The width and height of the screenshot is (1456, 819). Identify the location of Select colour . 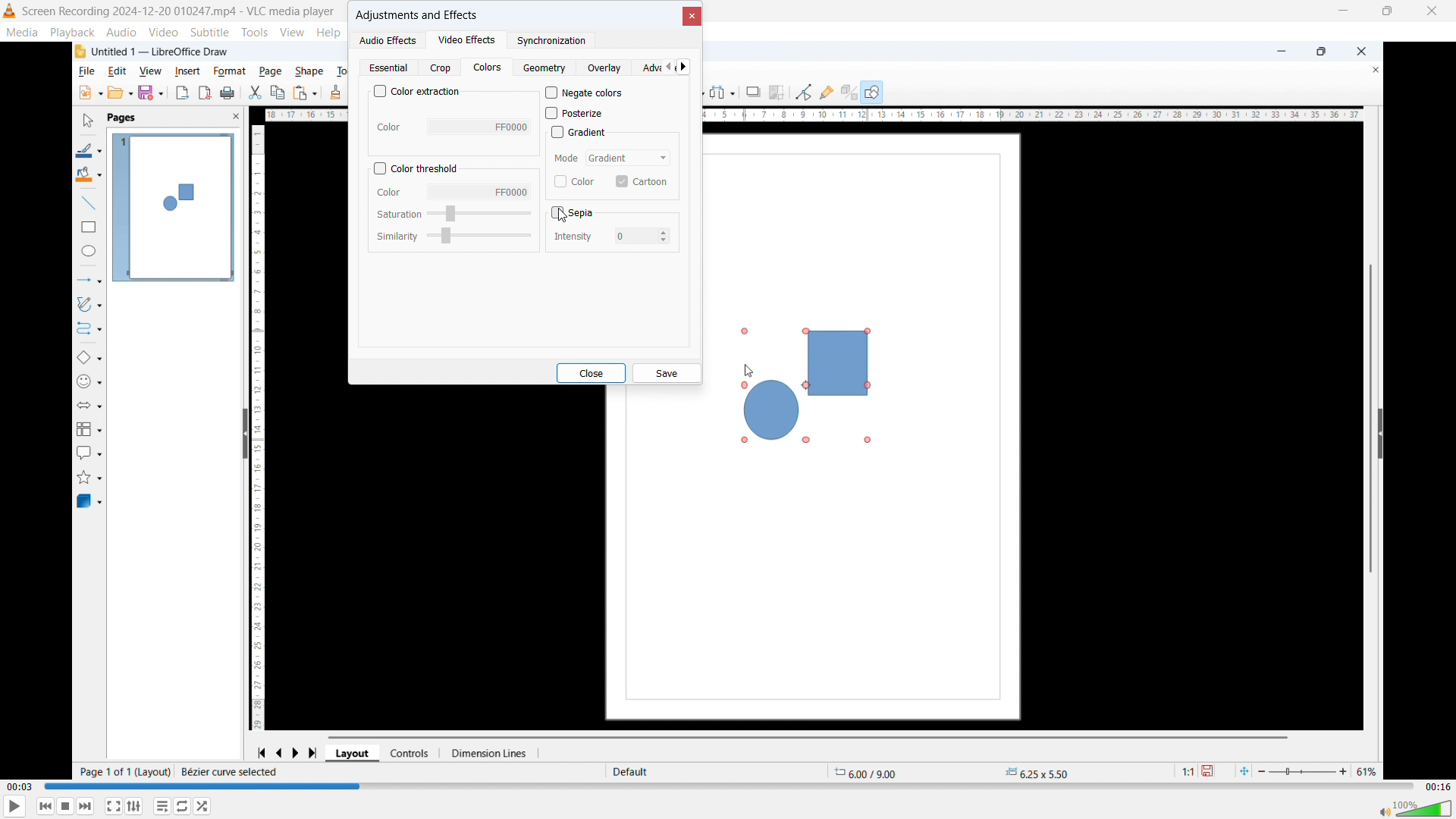
(481, 191).